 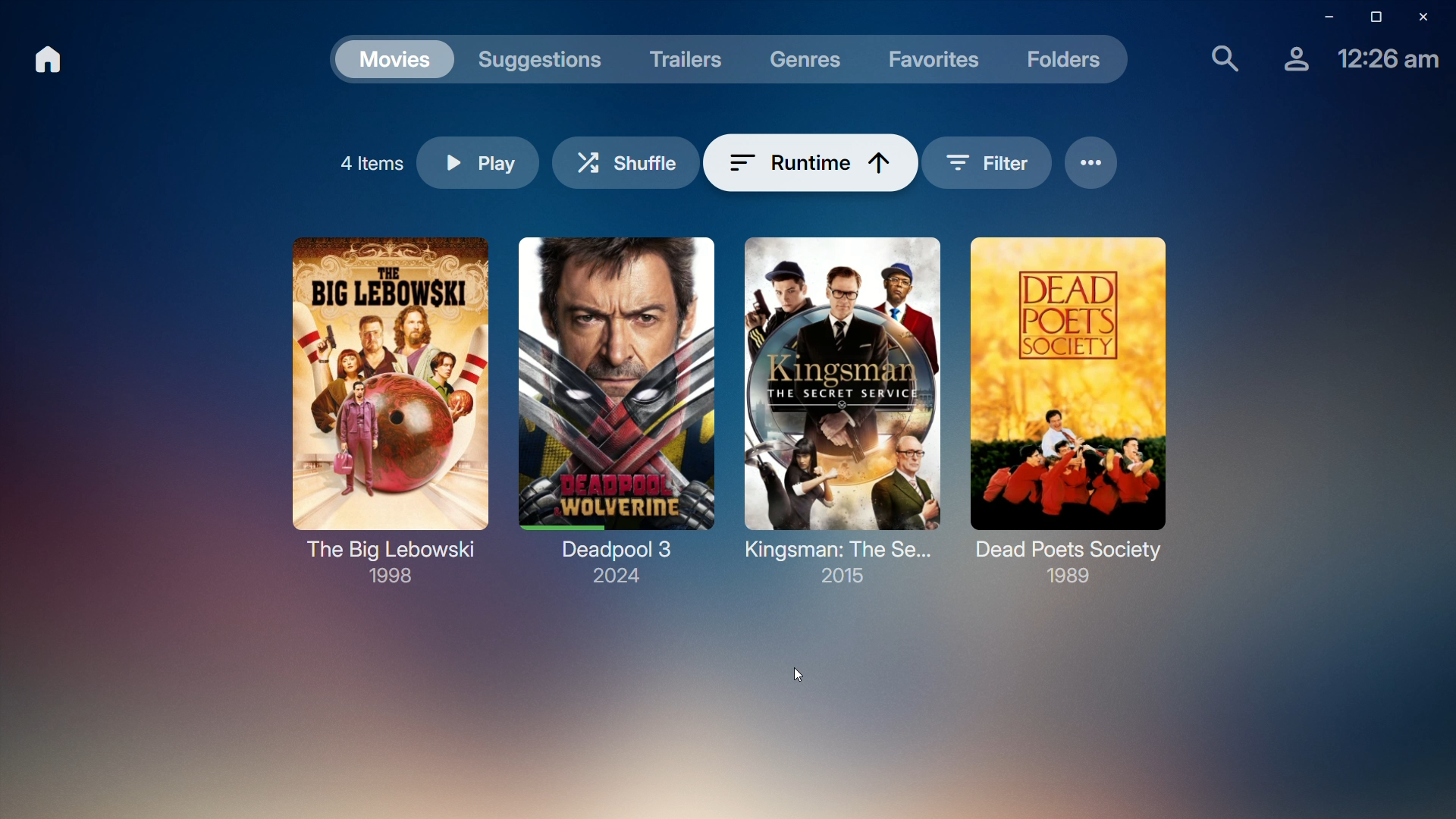 I want to click on Home, so click(x=52, y=62).